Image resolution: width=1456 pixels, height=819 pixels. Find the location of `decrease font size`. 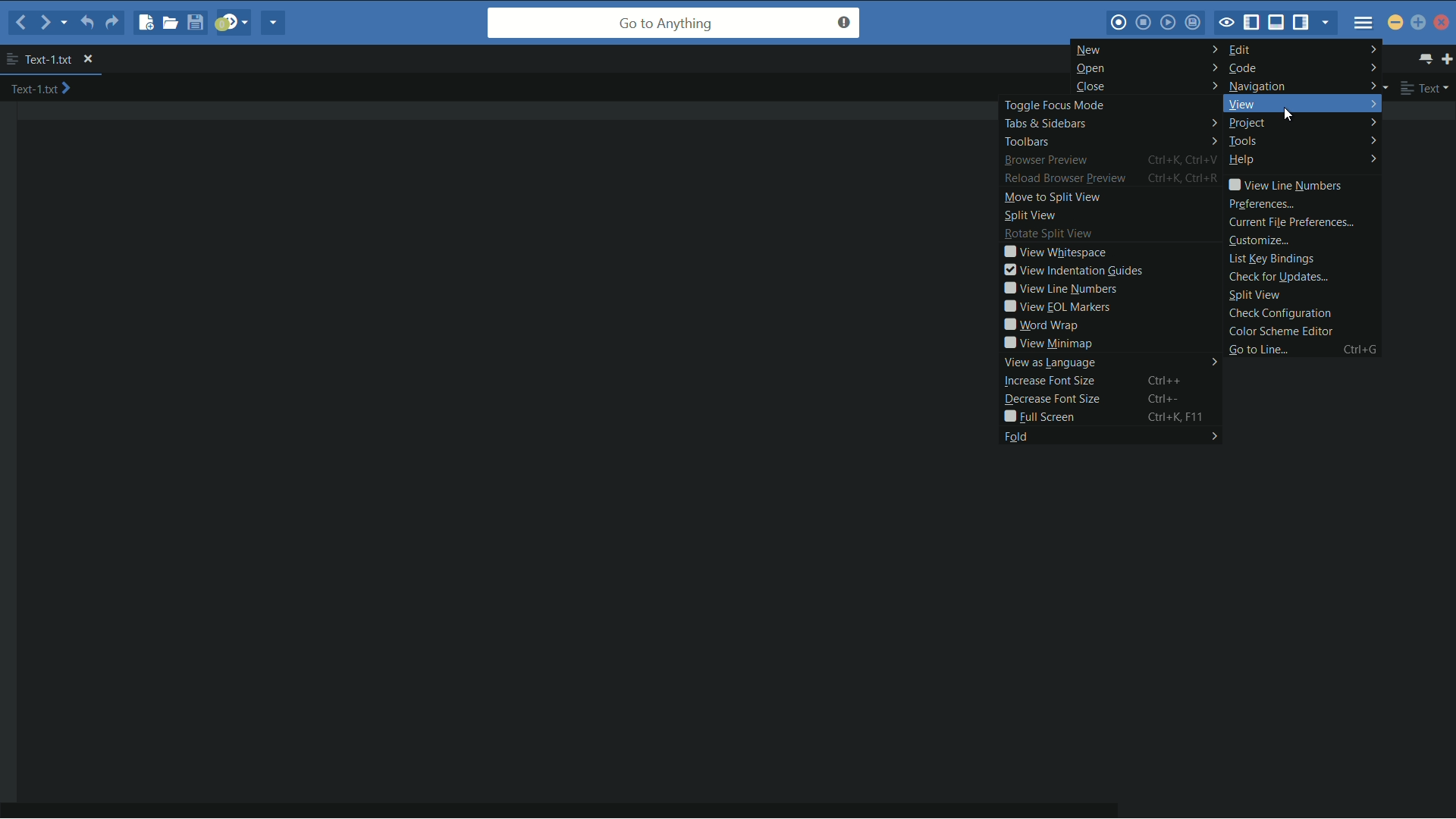

decrease font size is located at coordinates (1050, 399).